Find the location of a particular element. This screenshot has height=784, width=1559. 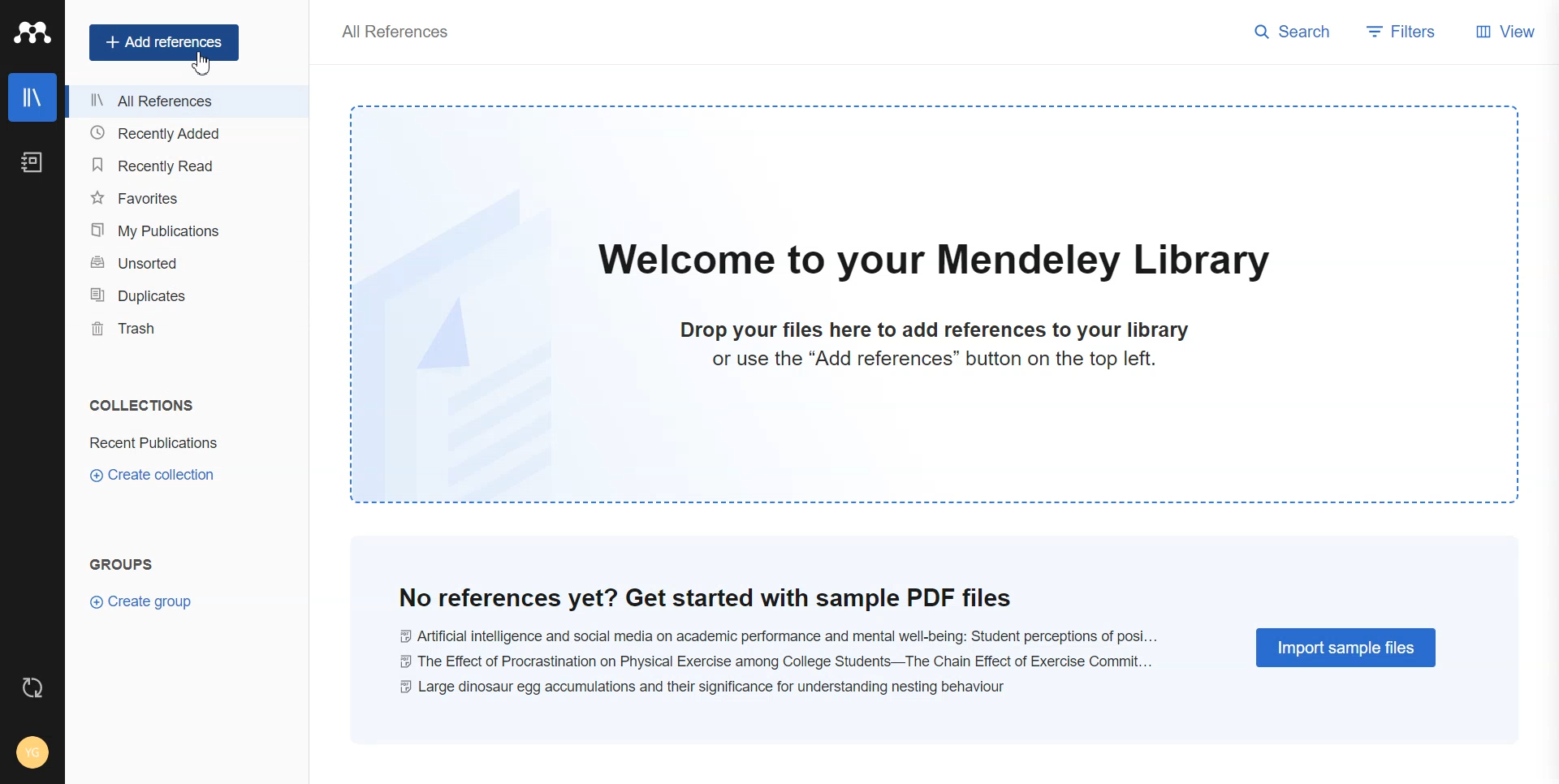

All Reference is located at coordinates (178, 102).